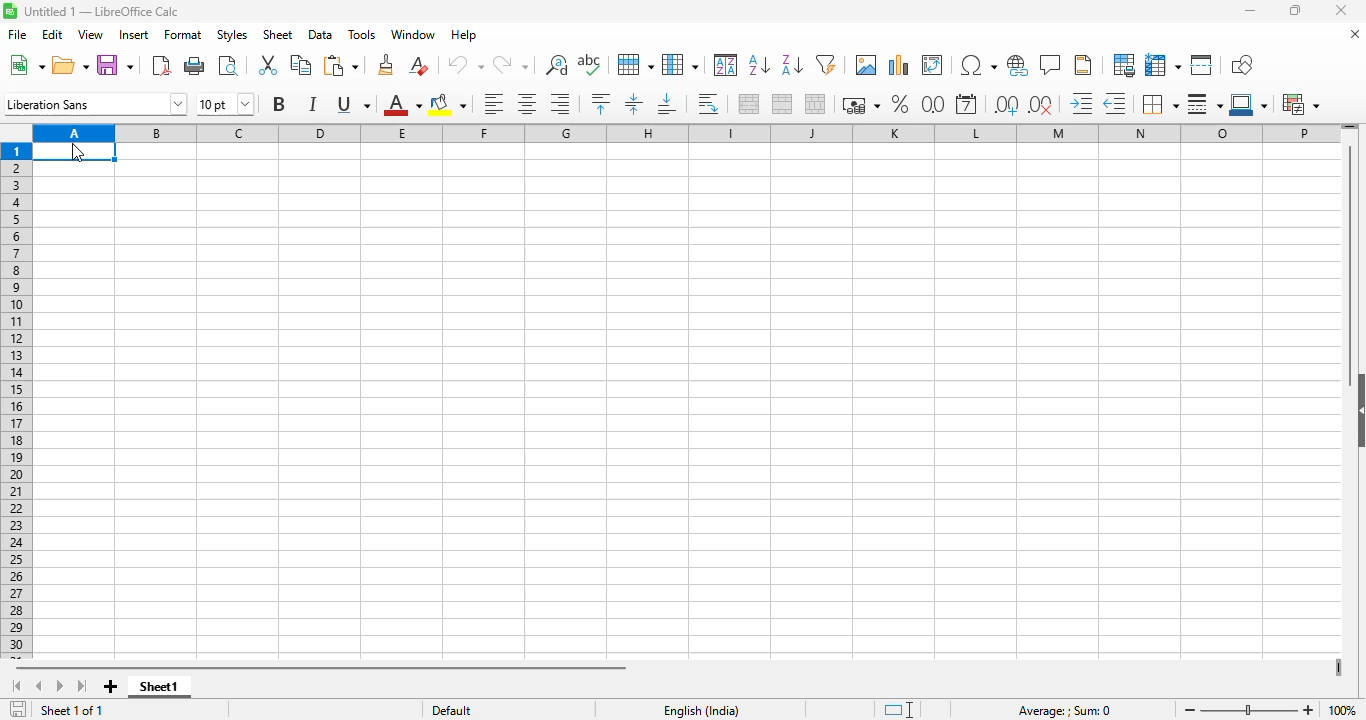  I want to click on align top, so click(601, 103).